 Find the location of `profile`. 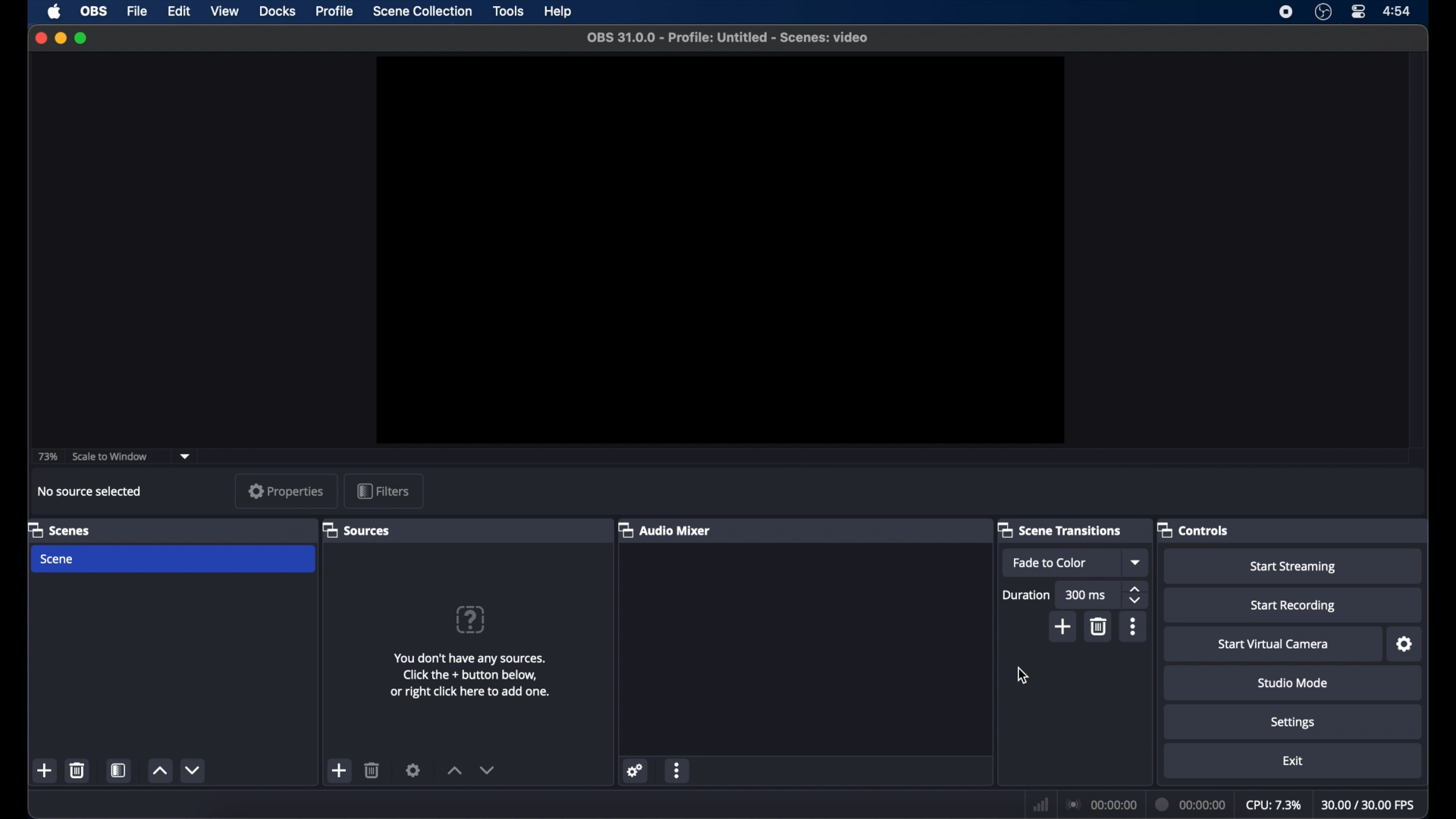

profile is located at coordinates (335, 12).